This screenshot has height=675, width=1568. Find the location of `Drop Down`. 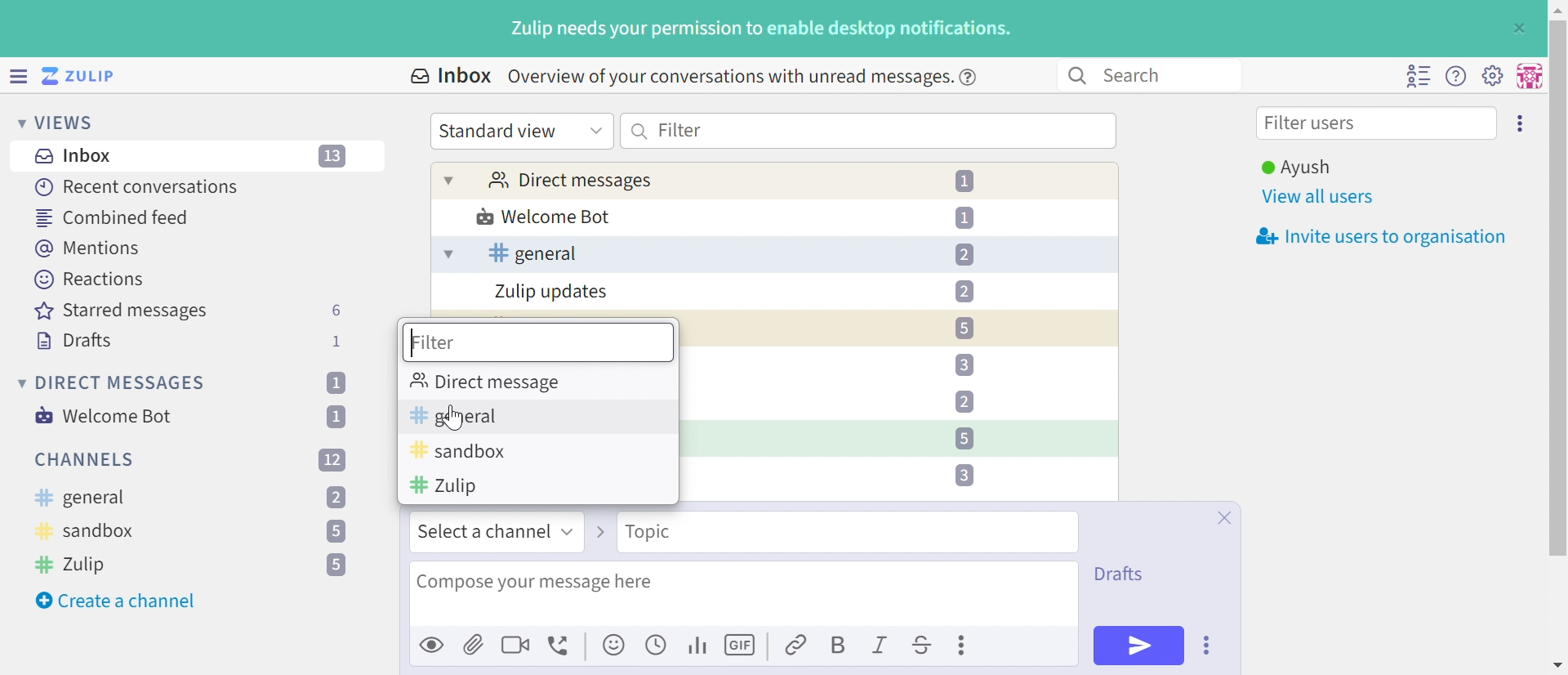

Drop Down is located at coordinates (571, 530).